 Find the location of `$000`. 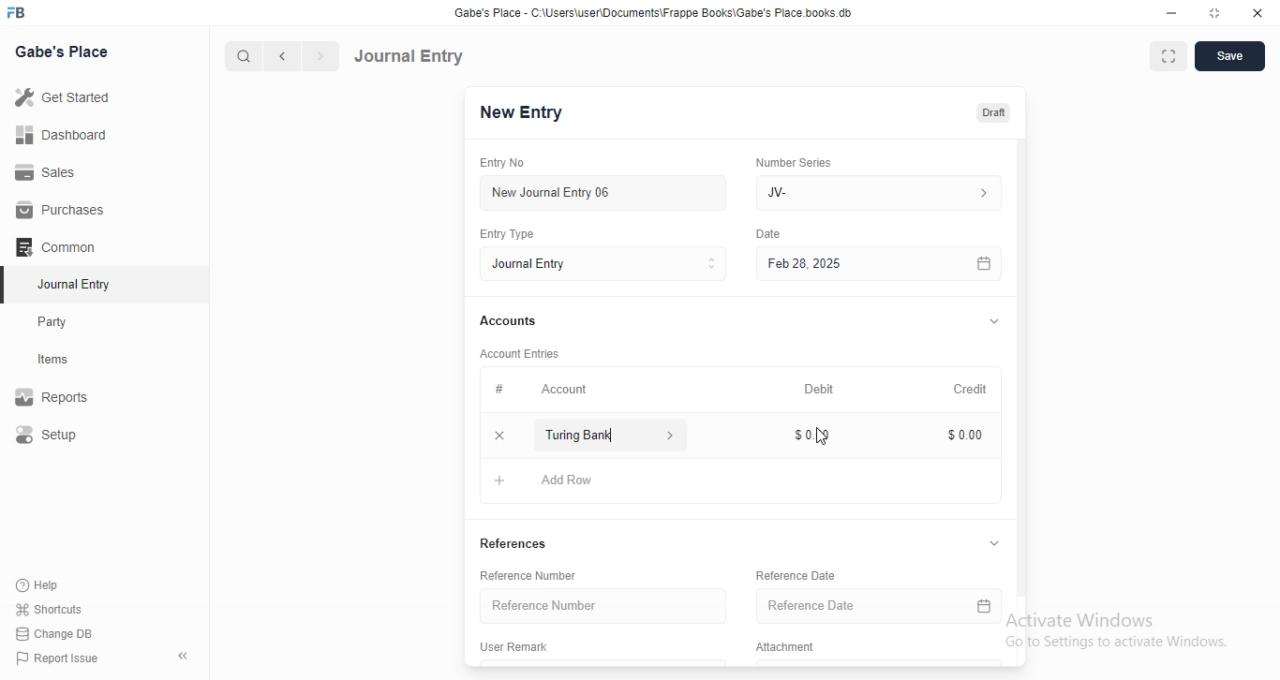

$000 is located at coordinates (967, 435).